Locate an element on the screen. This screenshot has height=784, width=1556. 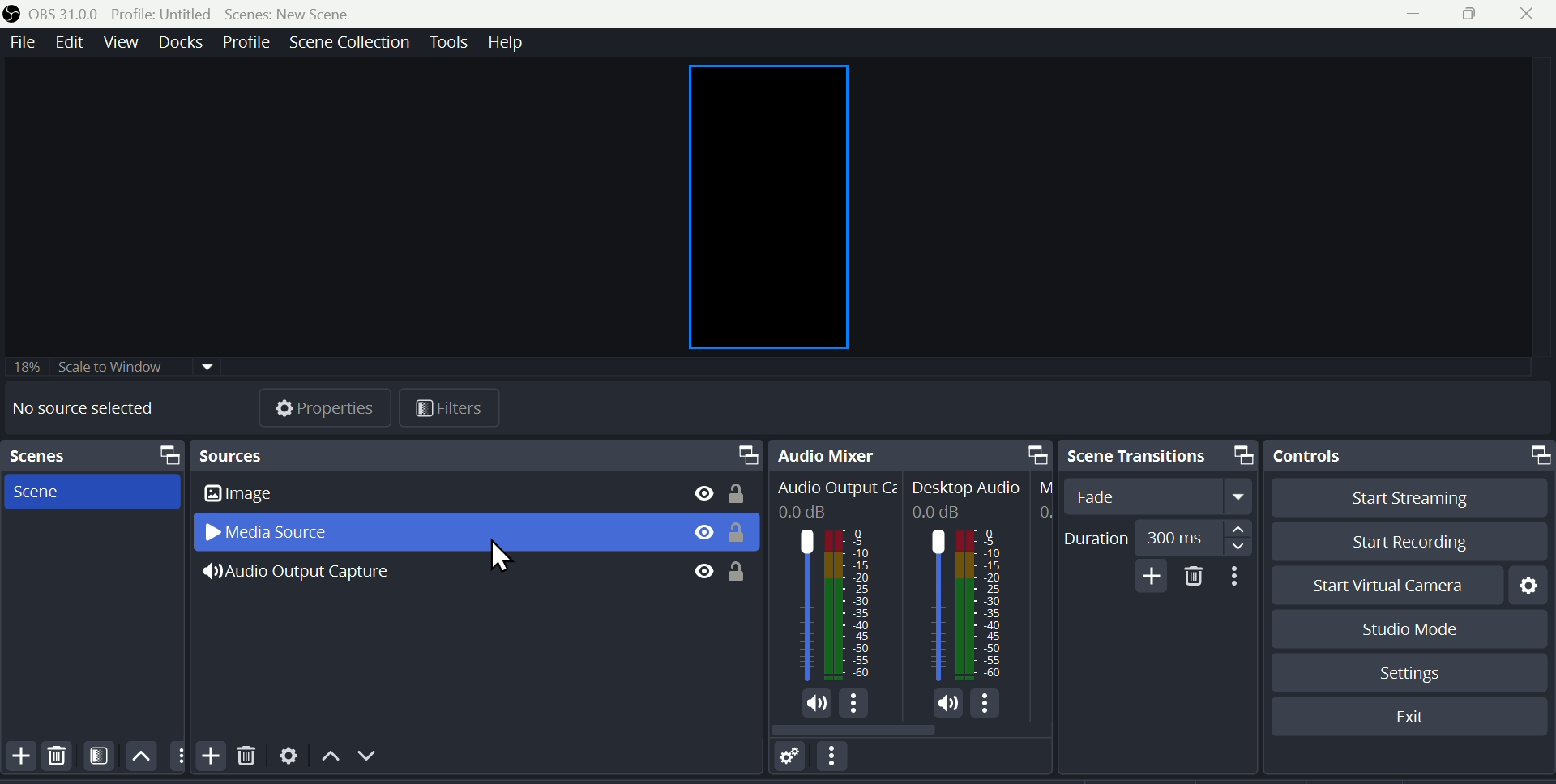
Lock unlock is located at coordinates (741, 569).